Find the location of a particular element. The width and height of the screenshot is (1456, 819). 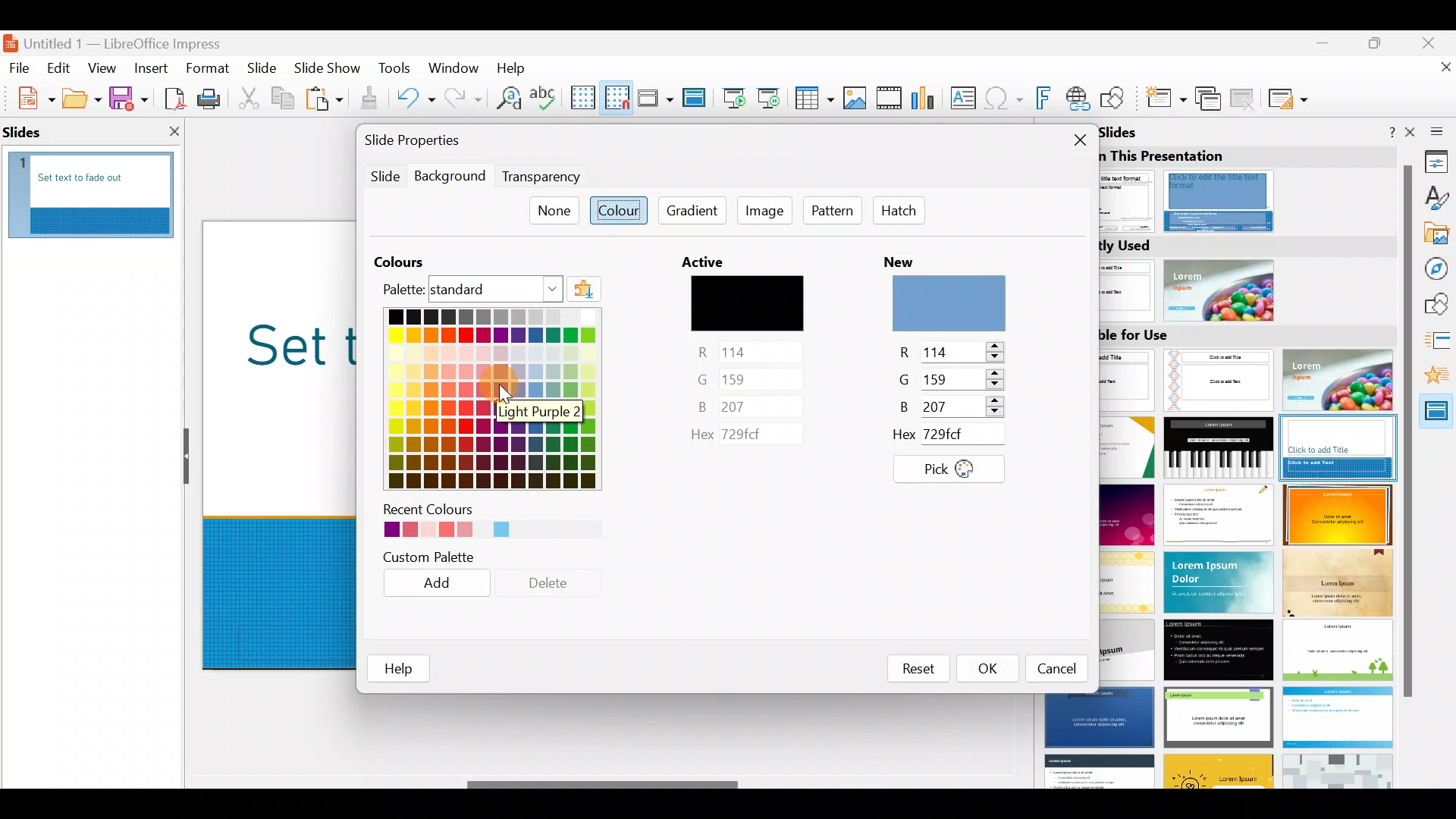

Delete slide is located at coordinates (1245, 98).